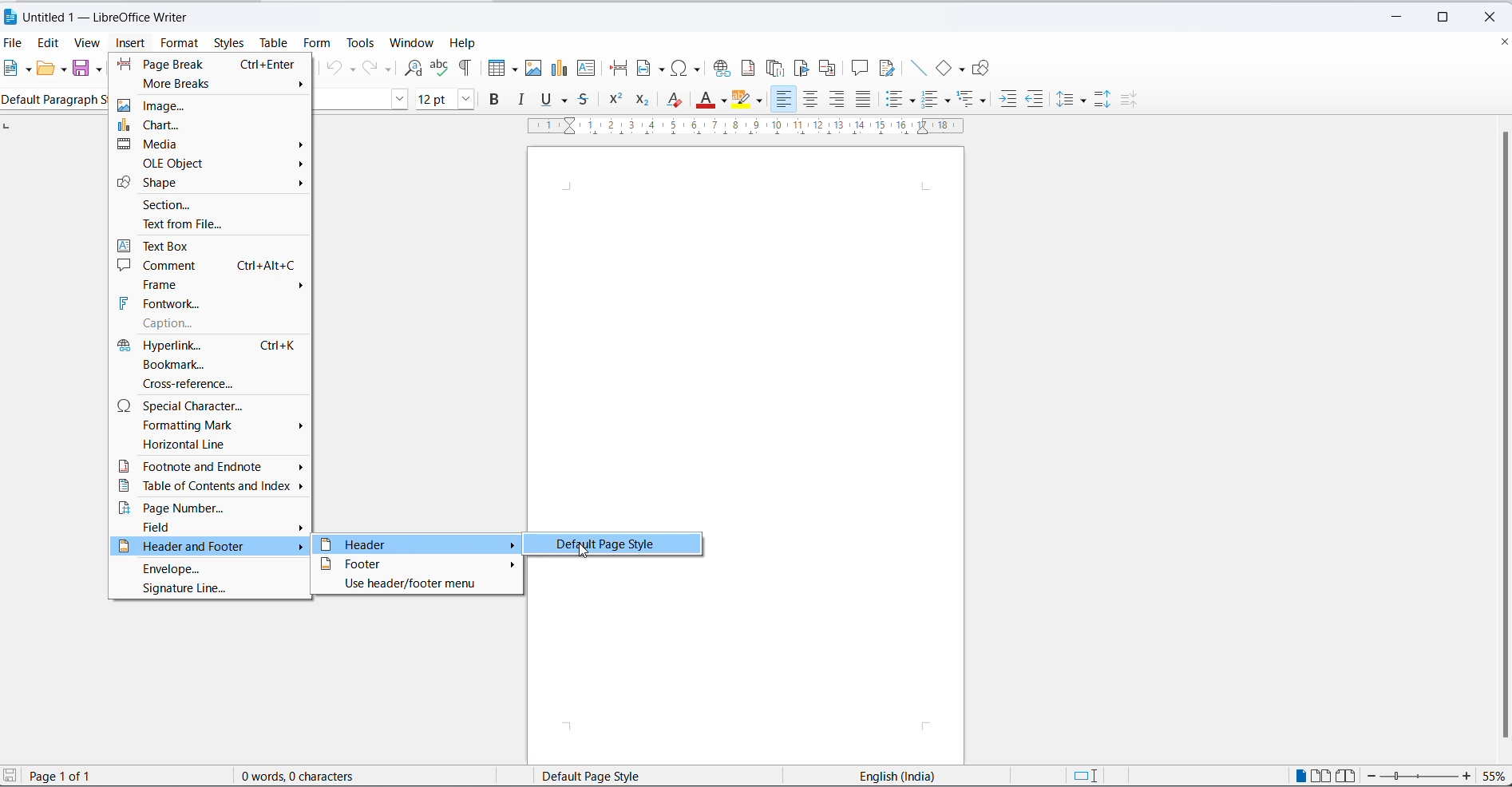  I want to click on superscript, so click(615, 98).